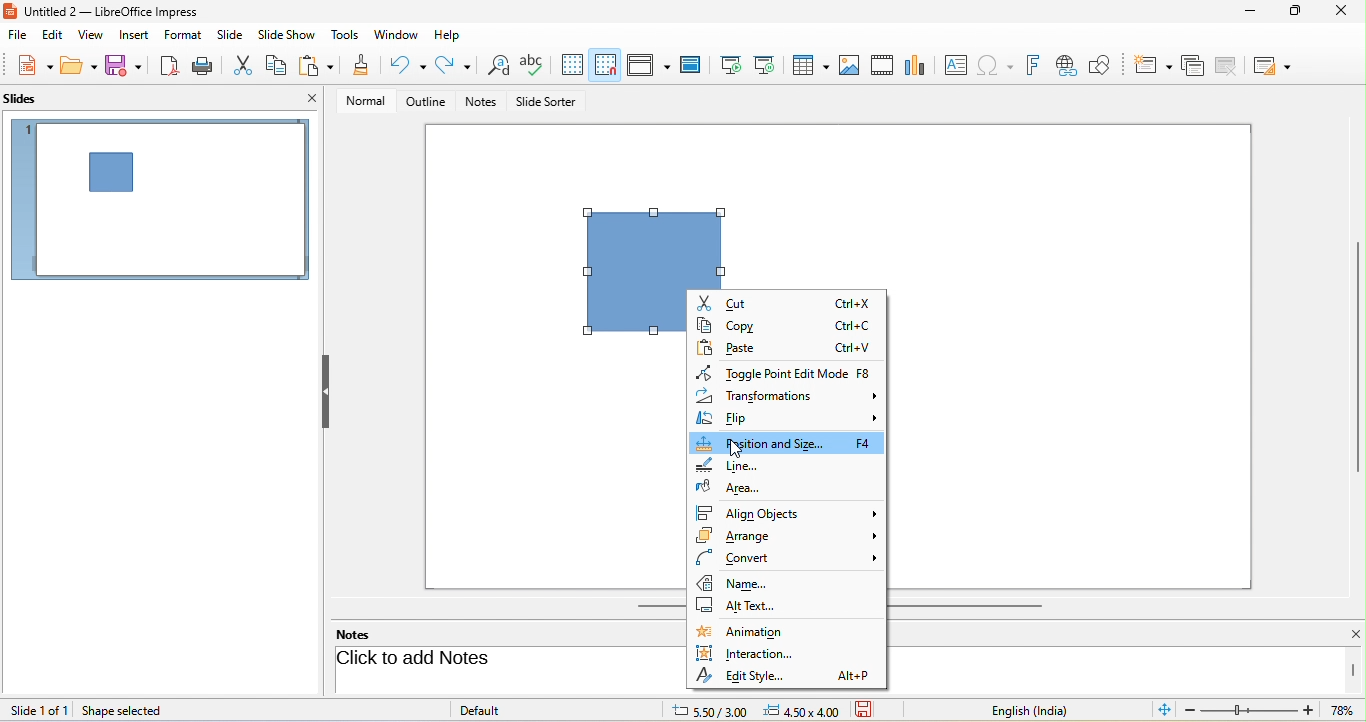  I want to click on undo, so click(410, 65).